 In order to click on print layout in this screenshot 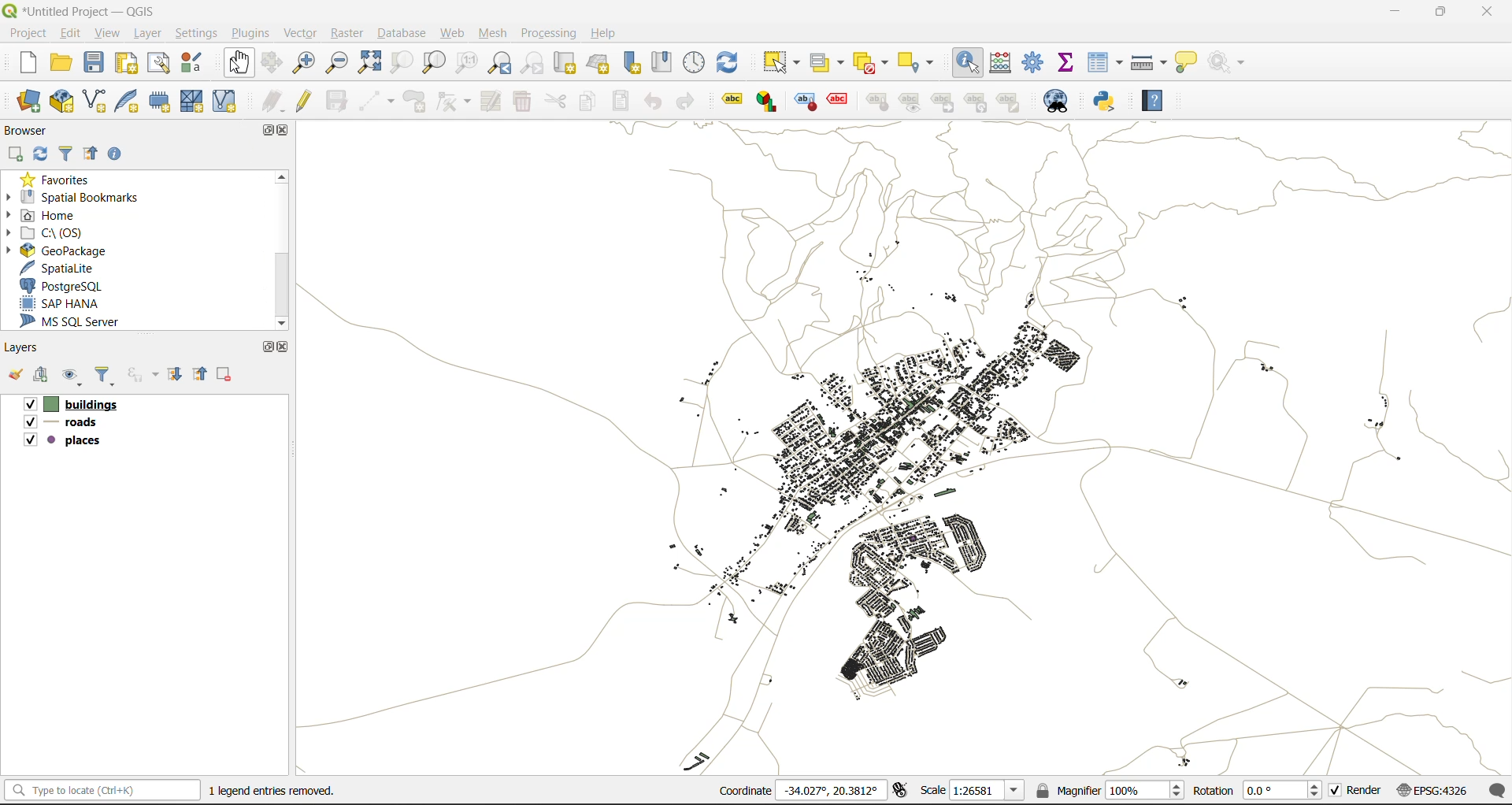, I will do `click(124, 63)`.